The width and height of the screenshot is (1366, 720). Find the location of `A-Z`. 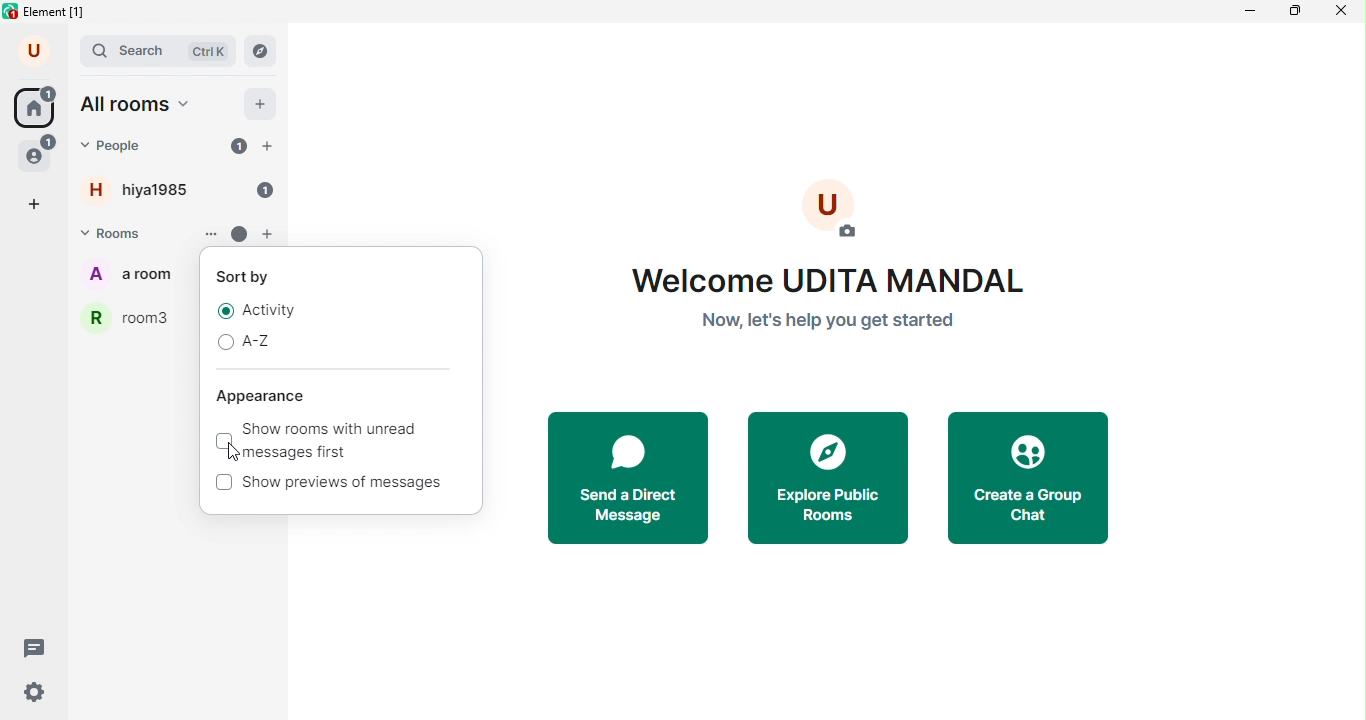

A-Z is located at coordinates (254, 343).